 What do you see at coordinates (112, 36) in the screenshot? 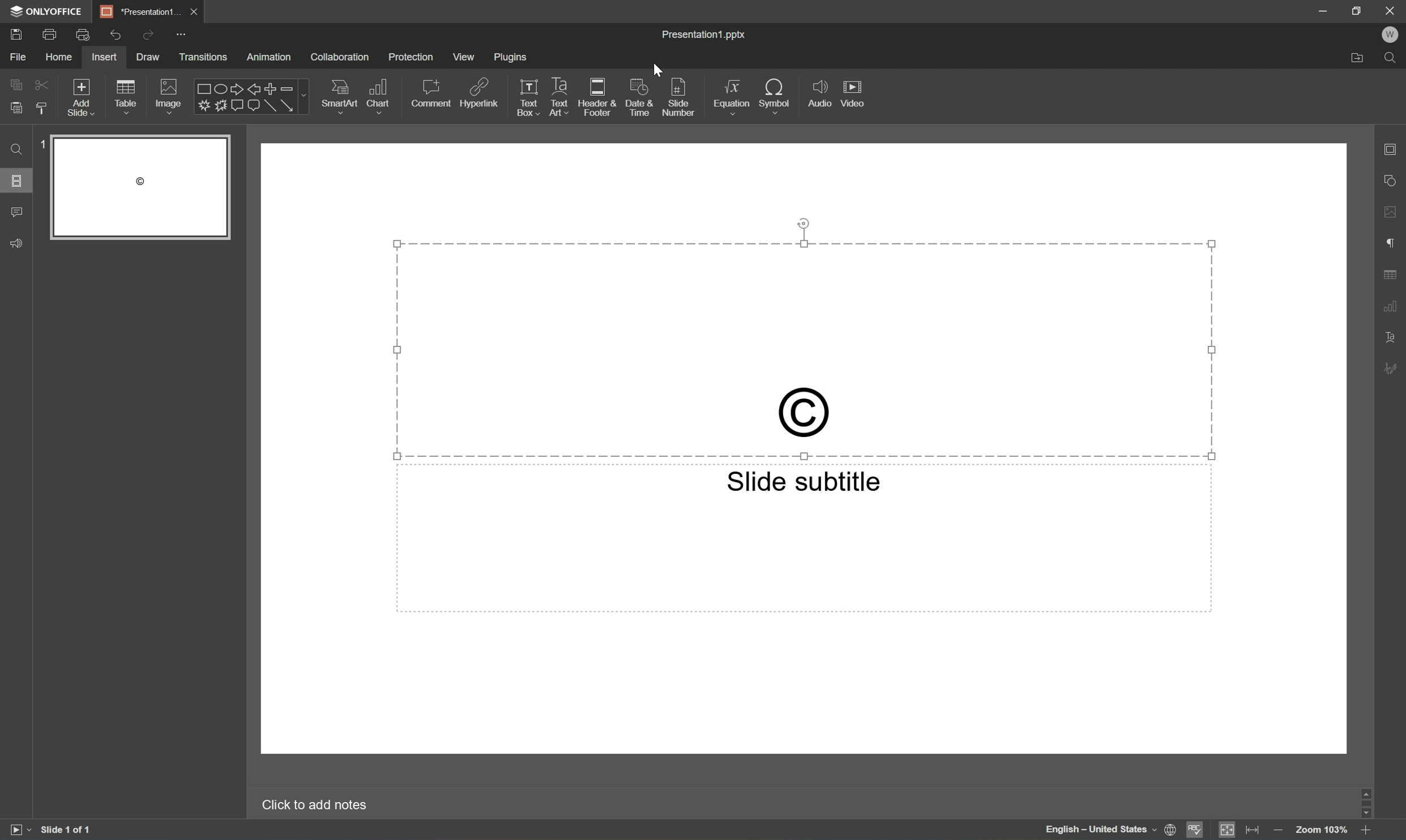
I see `Undo` at bounding box center [112, 36].